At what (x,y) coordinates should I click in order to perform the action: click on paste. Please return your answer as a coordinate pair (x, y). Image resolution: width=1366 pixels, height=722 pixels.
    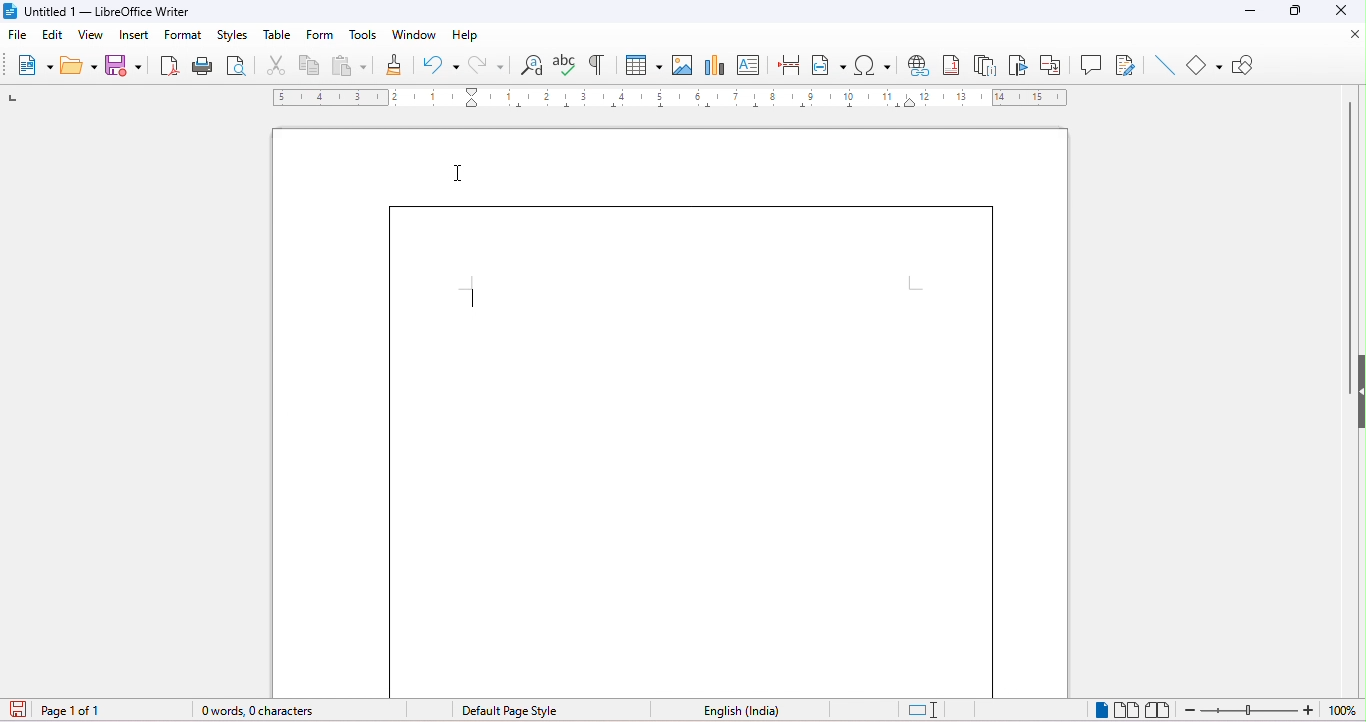
    Looking at the image, I should click on (350, 67).